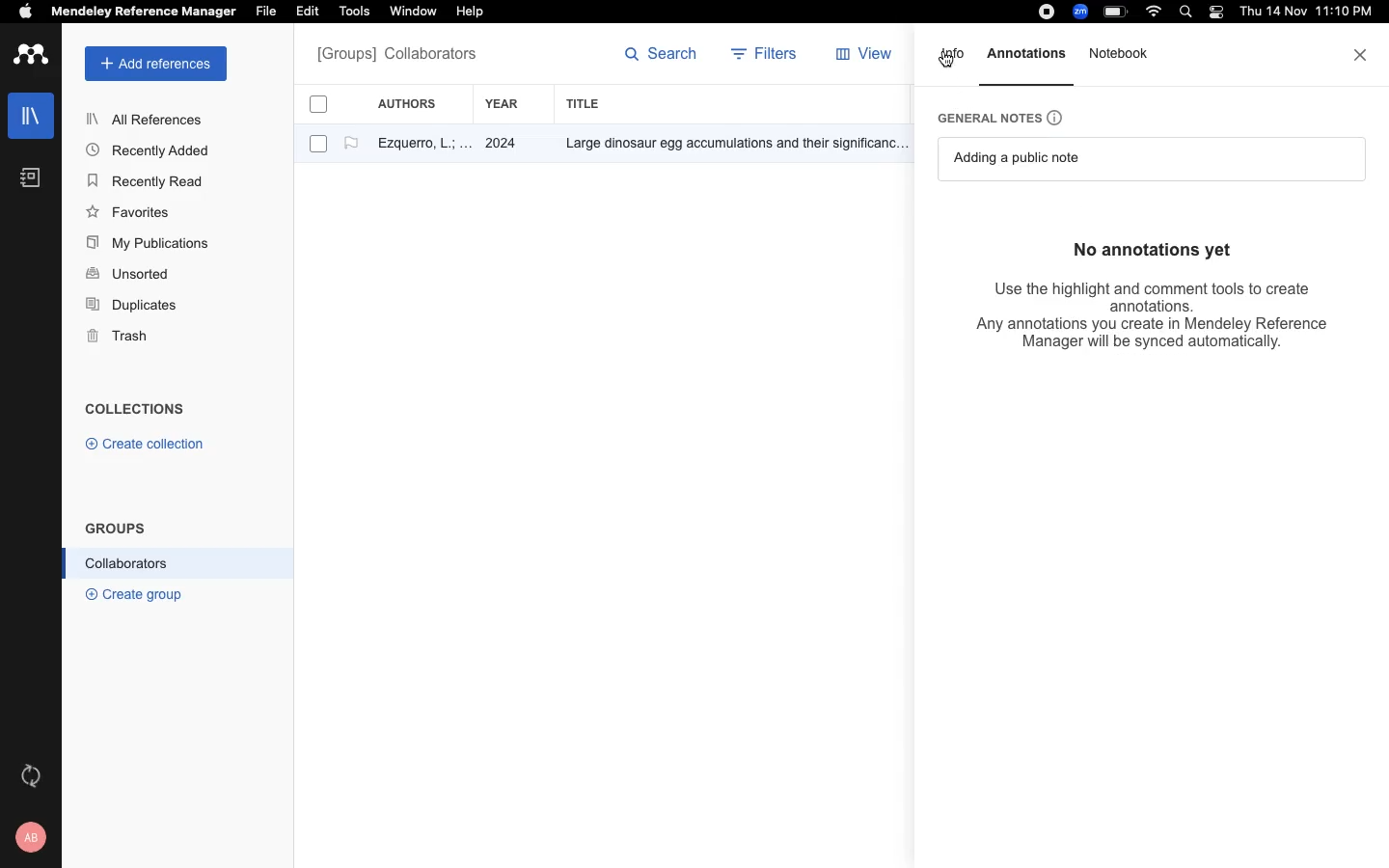 The image size is (1389, 868). I want to click on light/dark mode, so click(1215, 12).